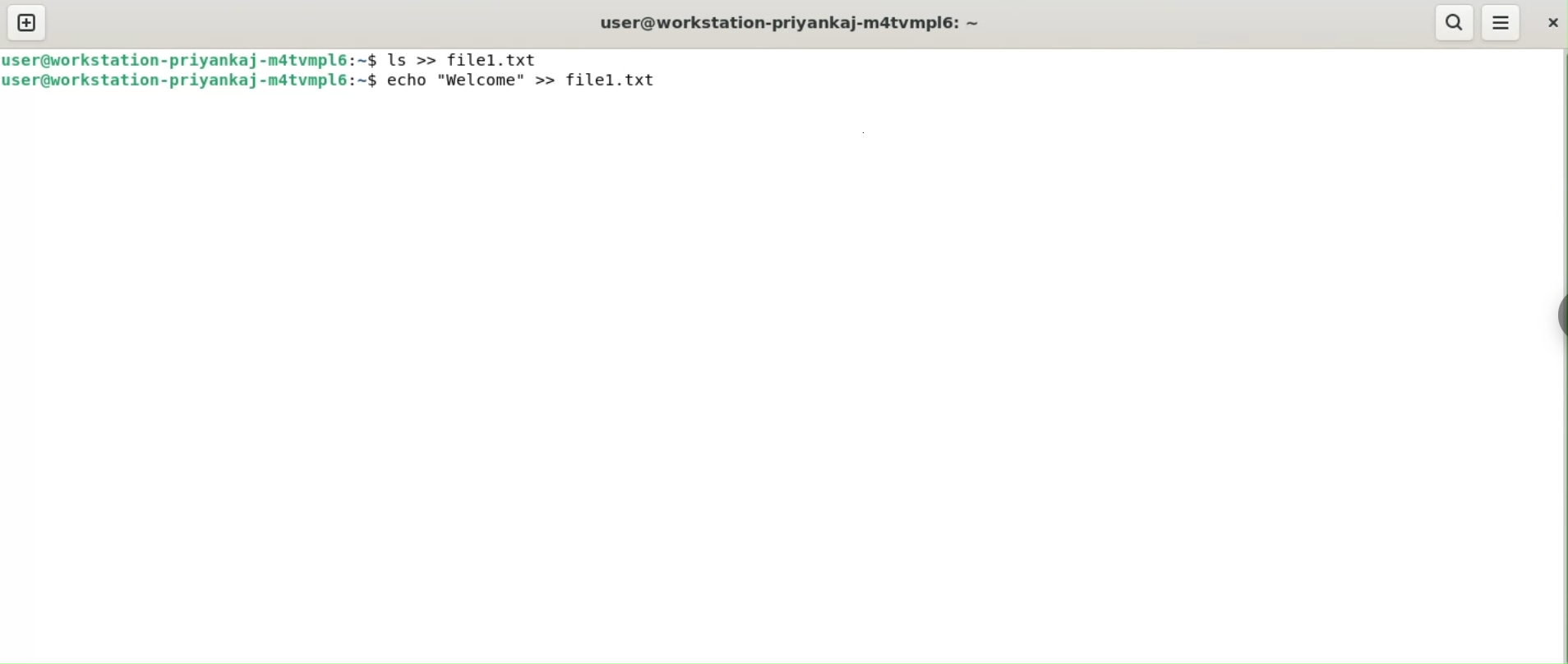  Describe the element at coordinates (1552, 26) in the screenshot. I see `close` at that location.